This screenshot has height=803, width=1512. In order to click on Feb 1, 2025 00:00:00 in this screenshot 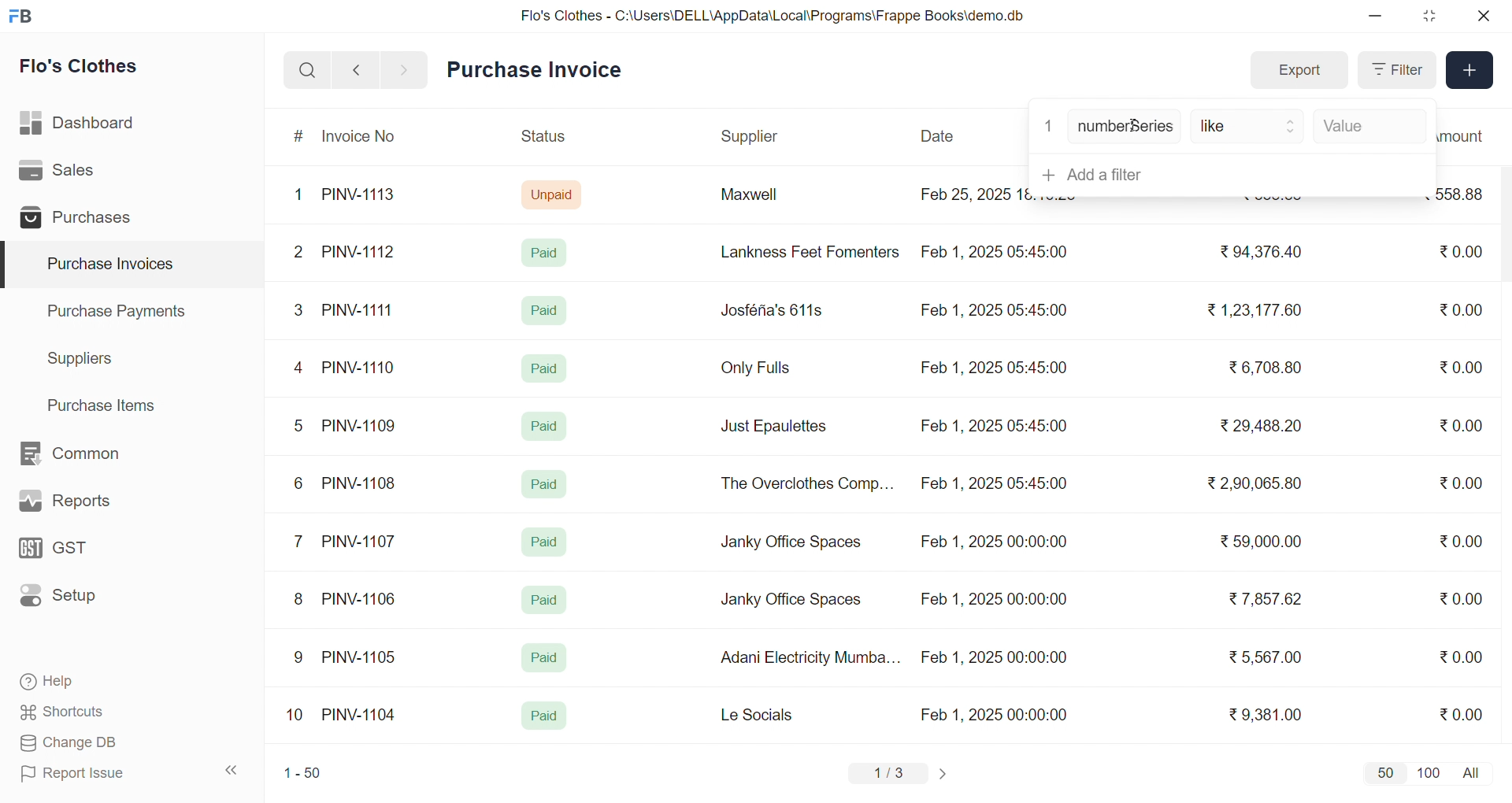, I will do `click(991, 597)`.